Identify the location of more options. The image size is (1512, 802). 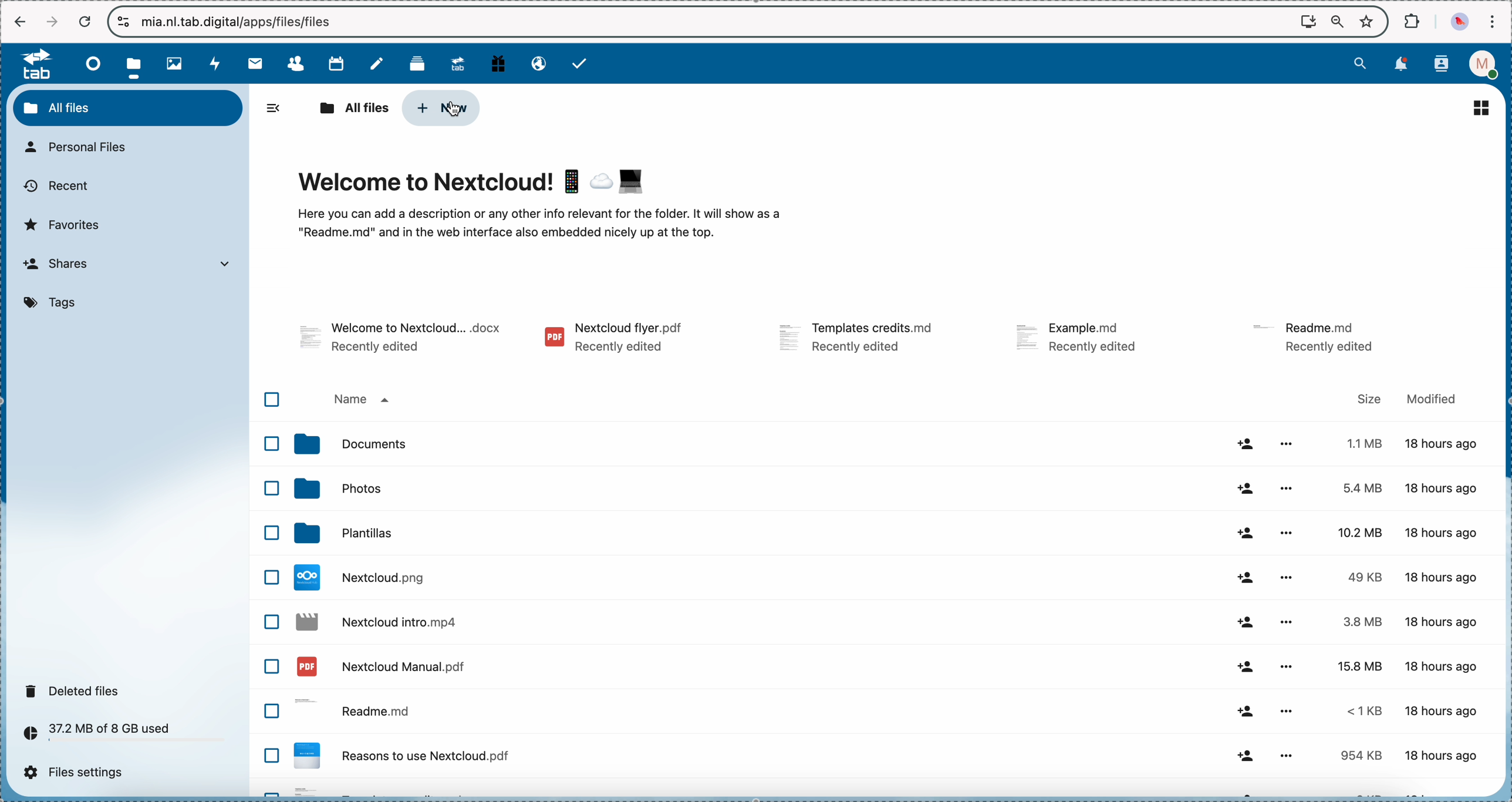
(1287, 578).